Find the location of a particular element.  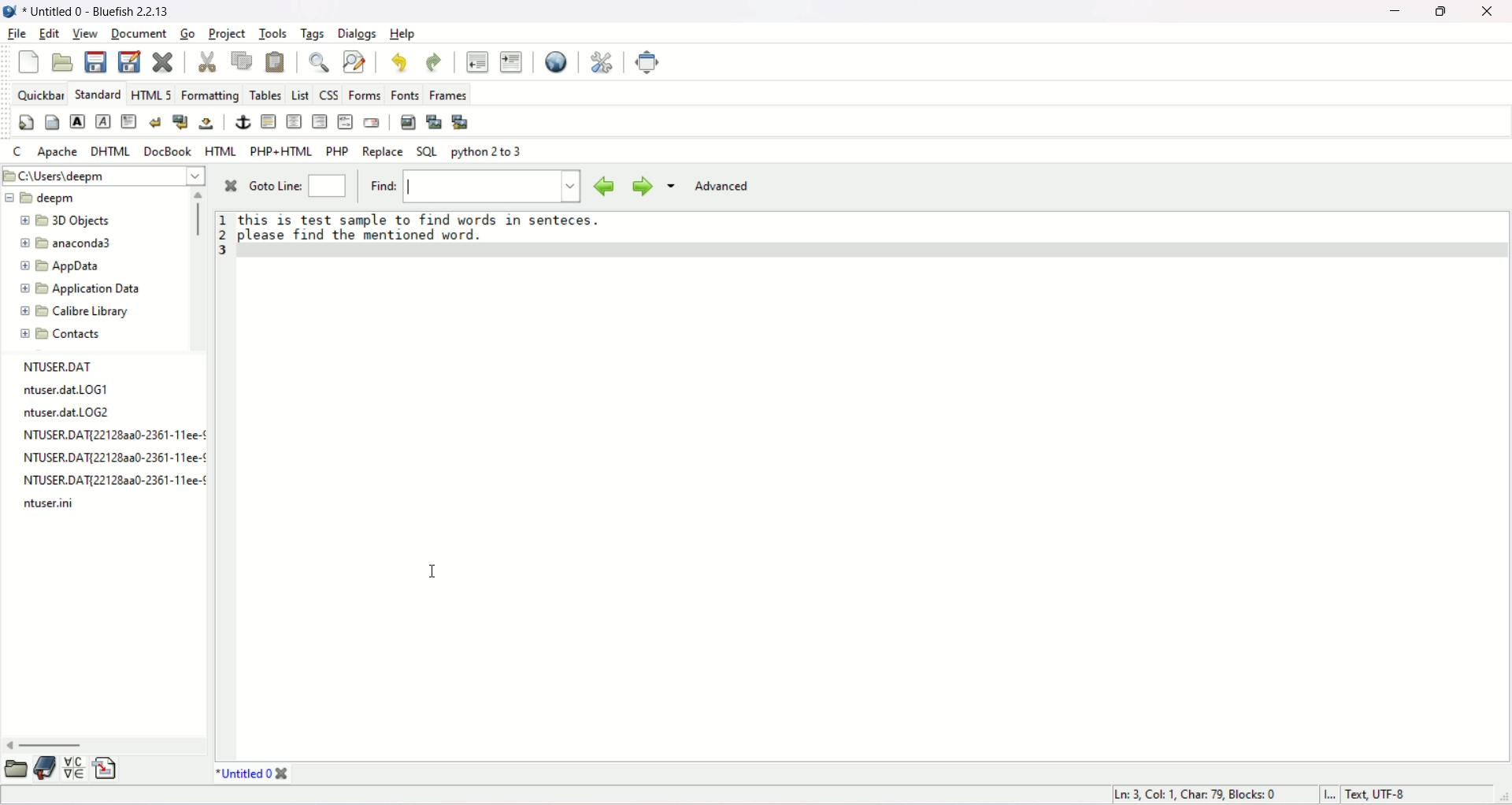

close is located at coordinates (230, 184).